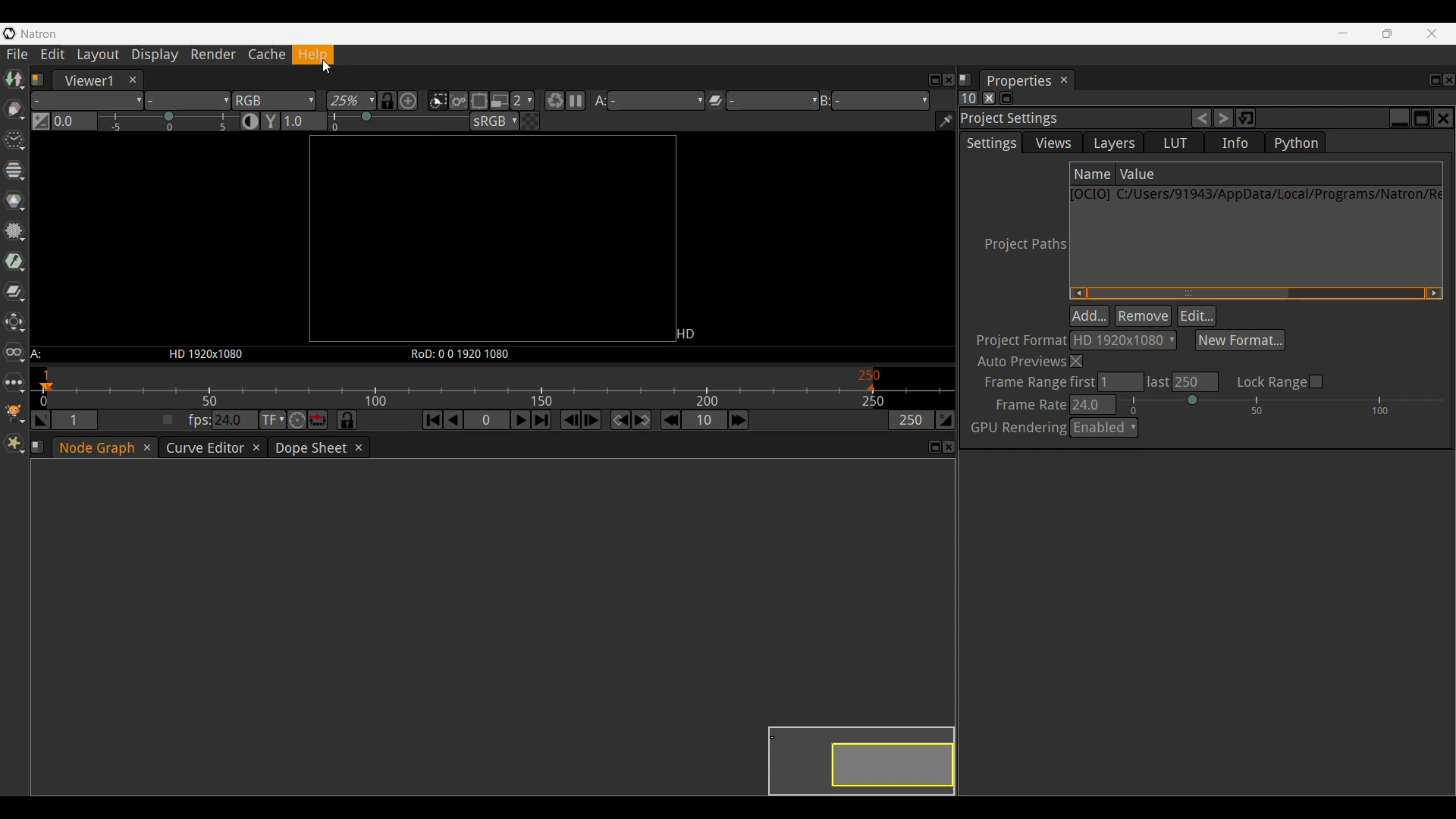 The image size is (1456, 819). Describe the element at coordinates (488, 420) in the screenshot. I see `Type in frame` at that location.